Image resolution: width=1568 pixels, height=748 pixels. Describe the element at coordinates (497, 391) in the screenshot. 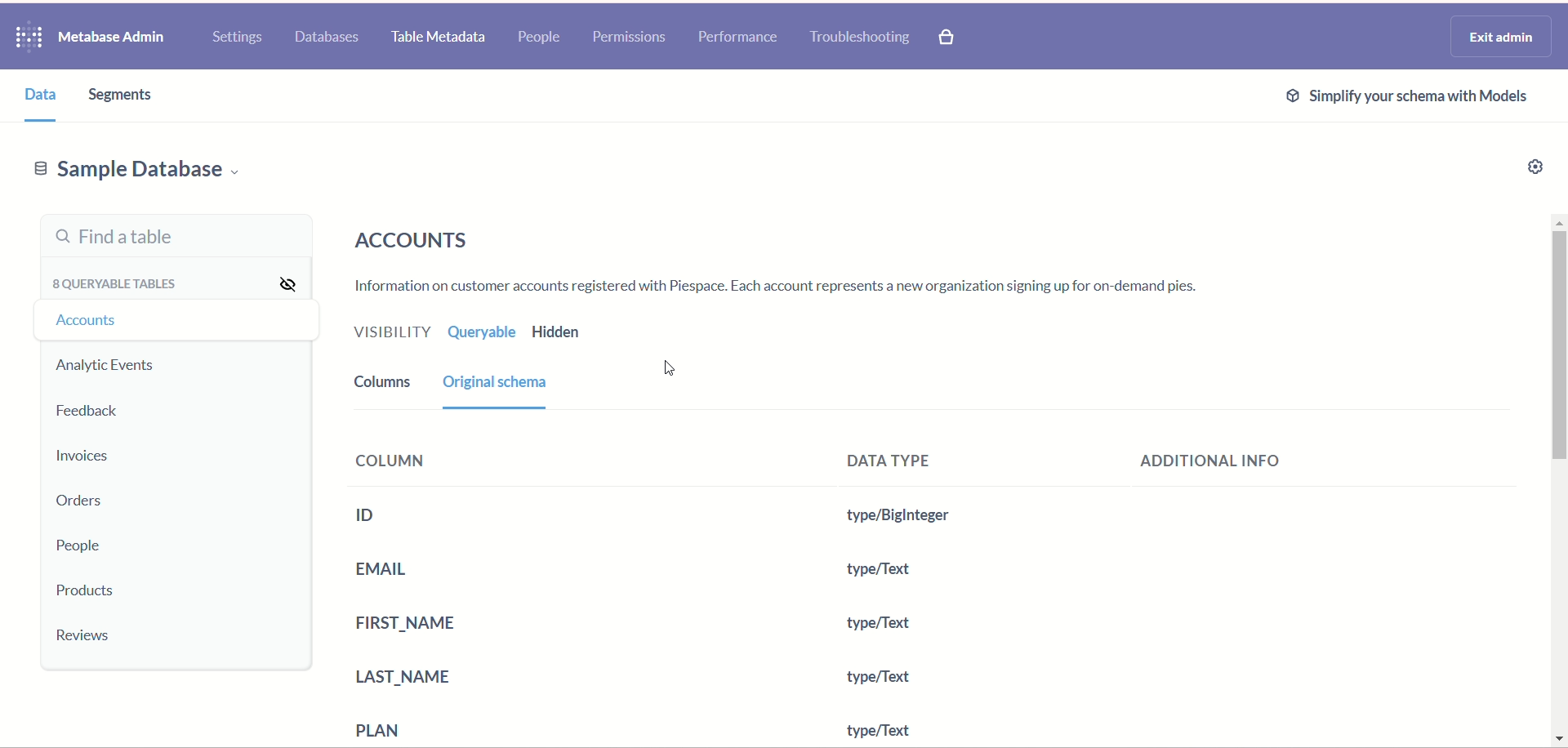

I see `original schema` at that location.